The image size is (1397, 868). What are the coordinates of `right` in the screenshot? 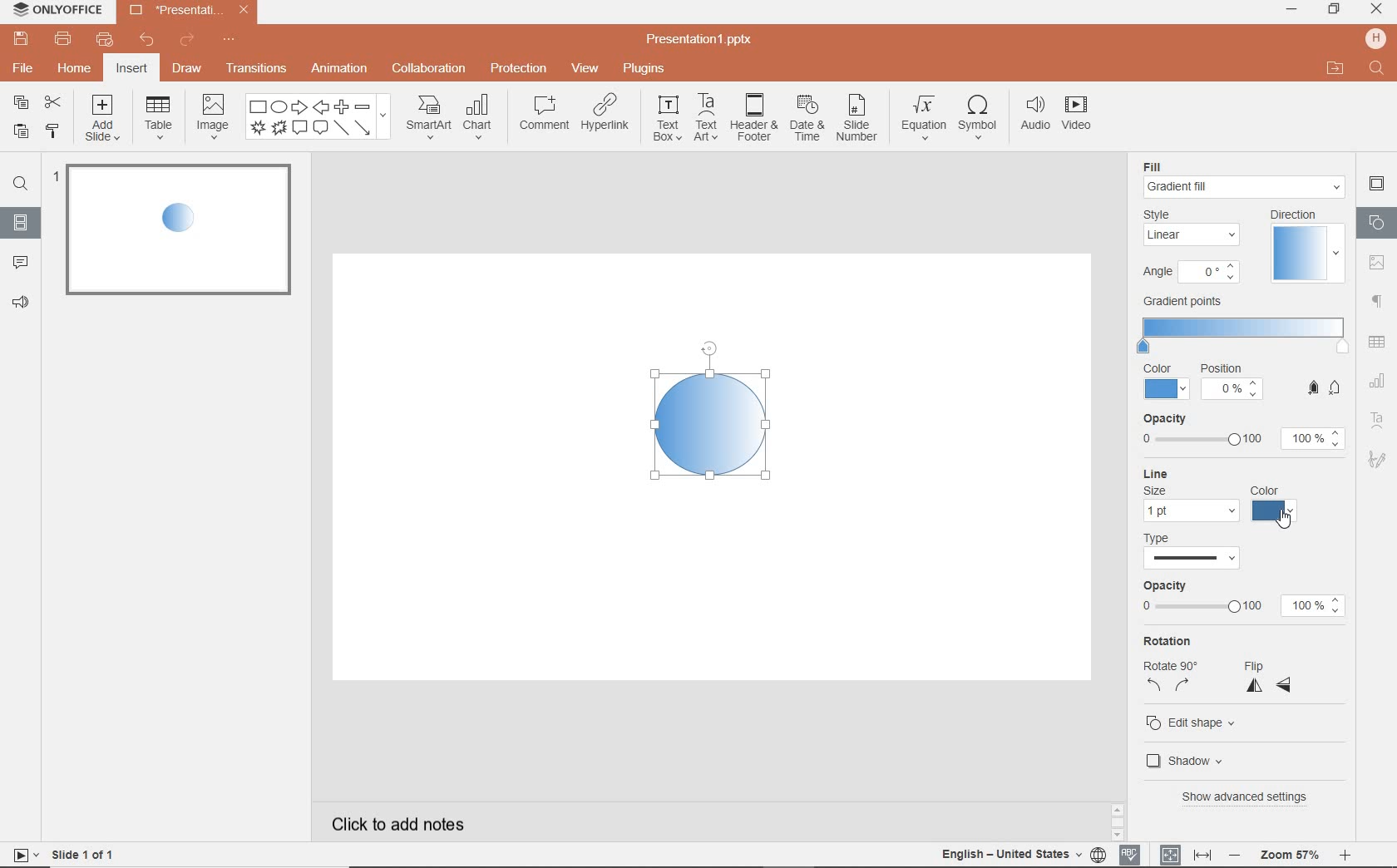 It's located at (1182, 688).